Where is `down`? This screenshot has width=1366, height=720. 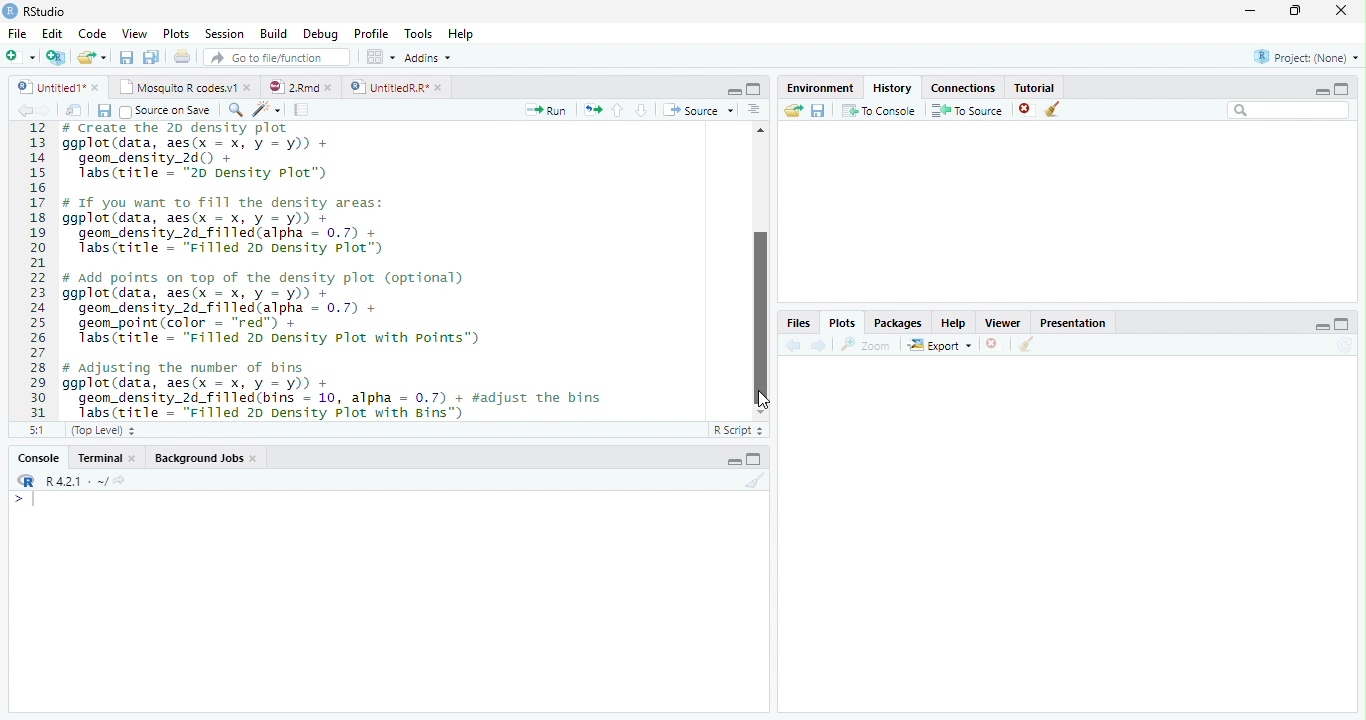
down is located at coordinates (641, 110).